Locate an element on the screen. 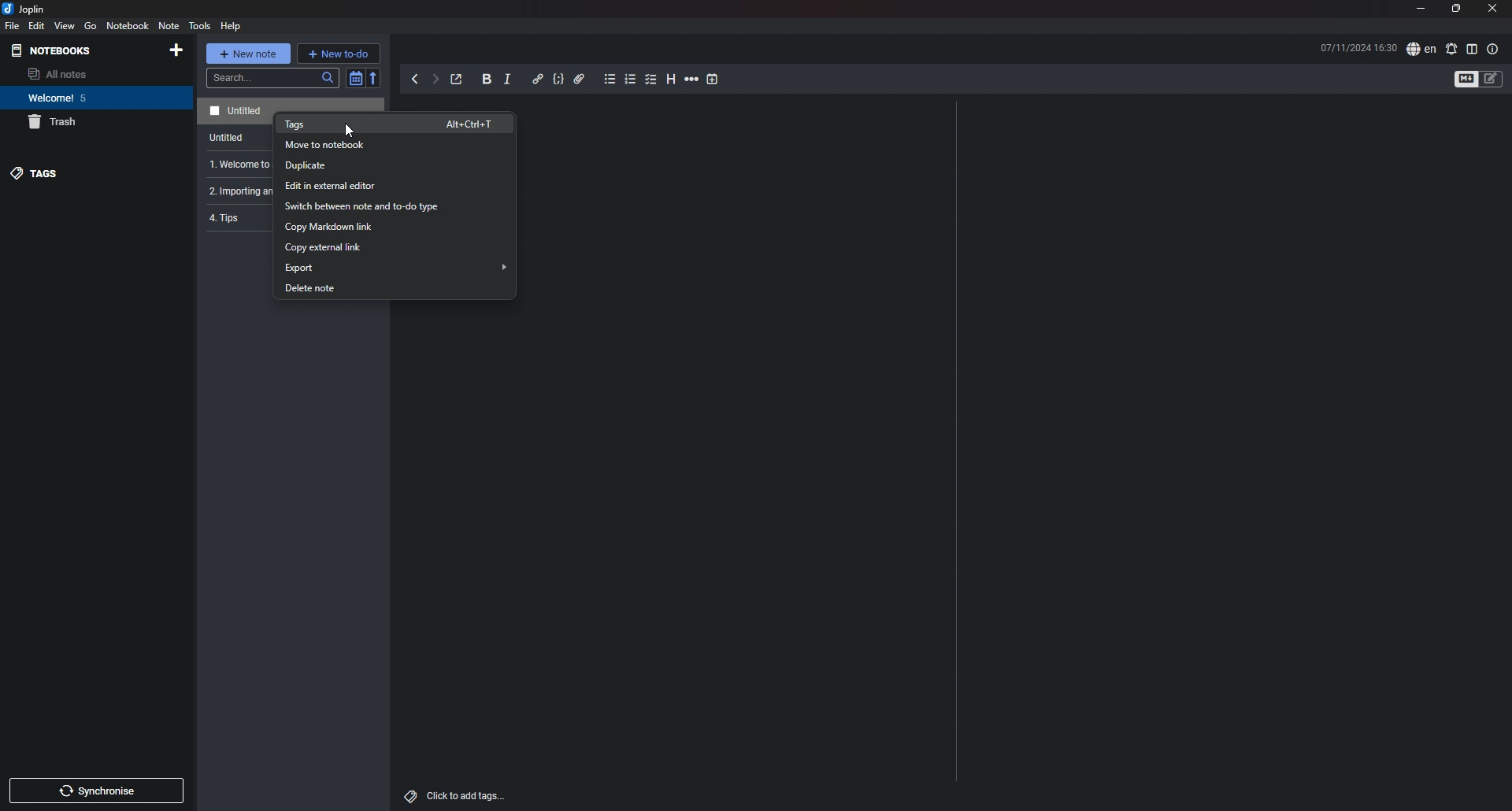  note is located at coordinates (233, 111).